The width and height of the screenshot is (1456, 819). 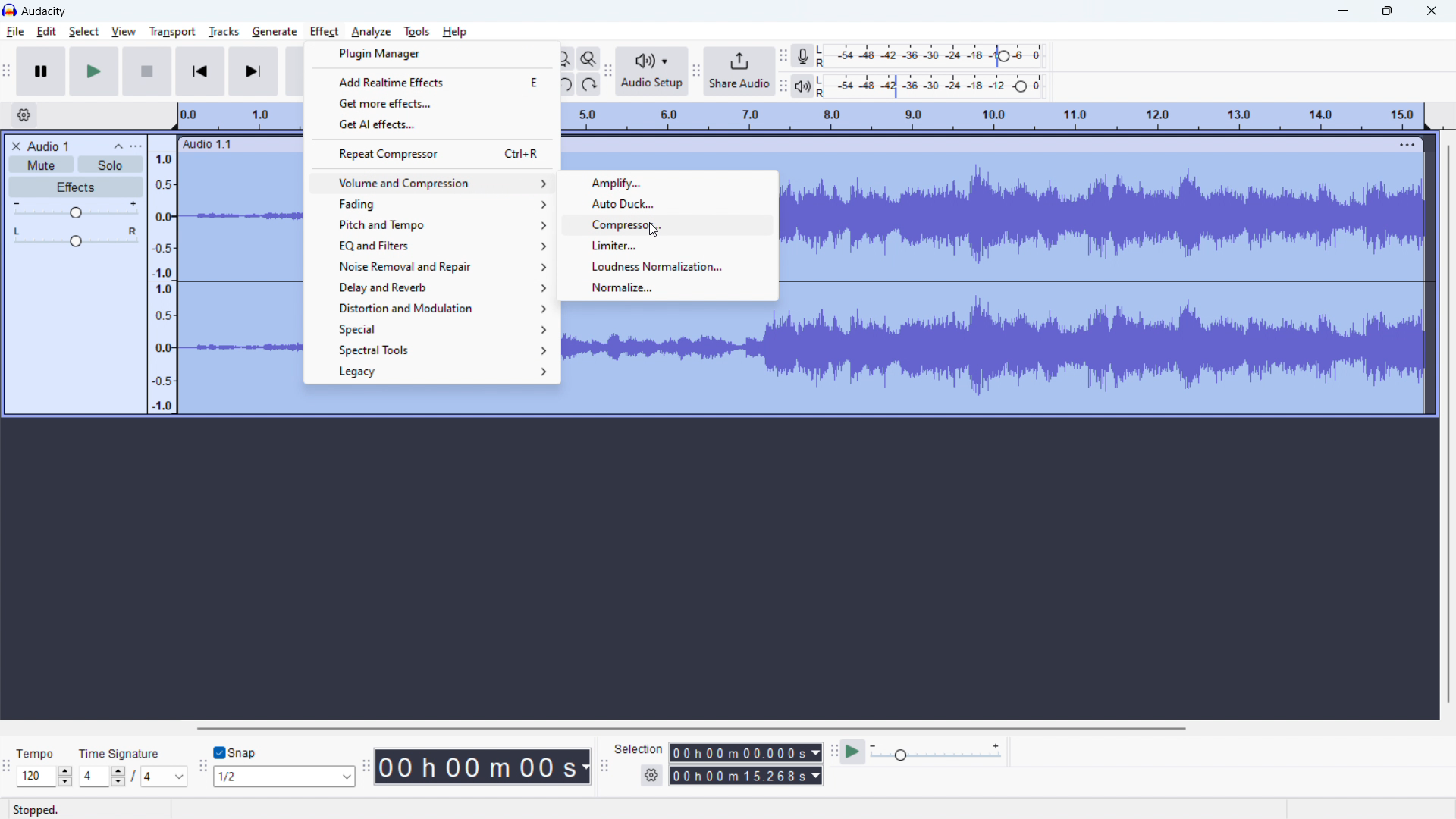 What do you see at coordinates (46, 808) in the screenshot?
I see `Stopped` at bounding box center [46, 808].